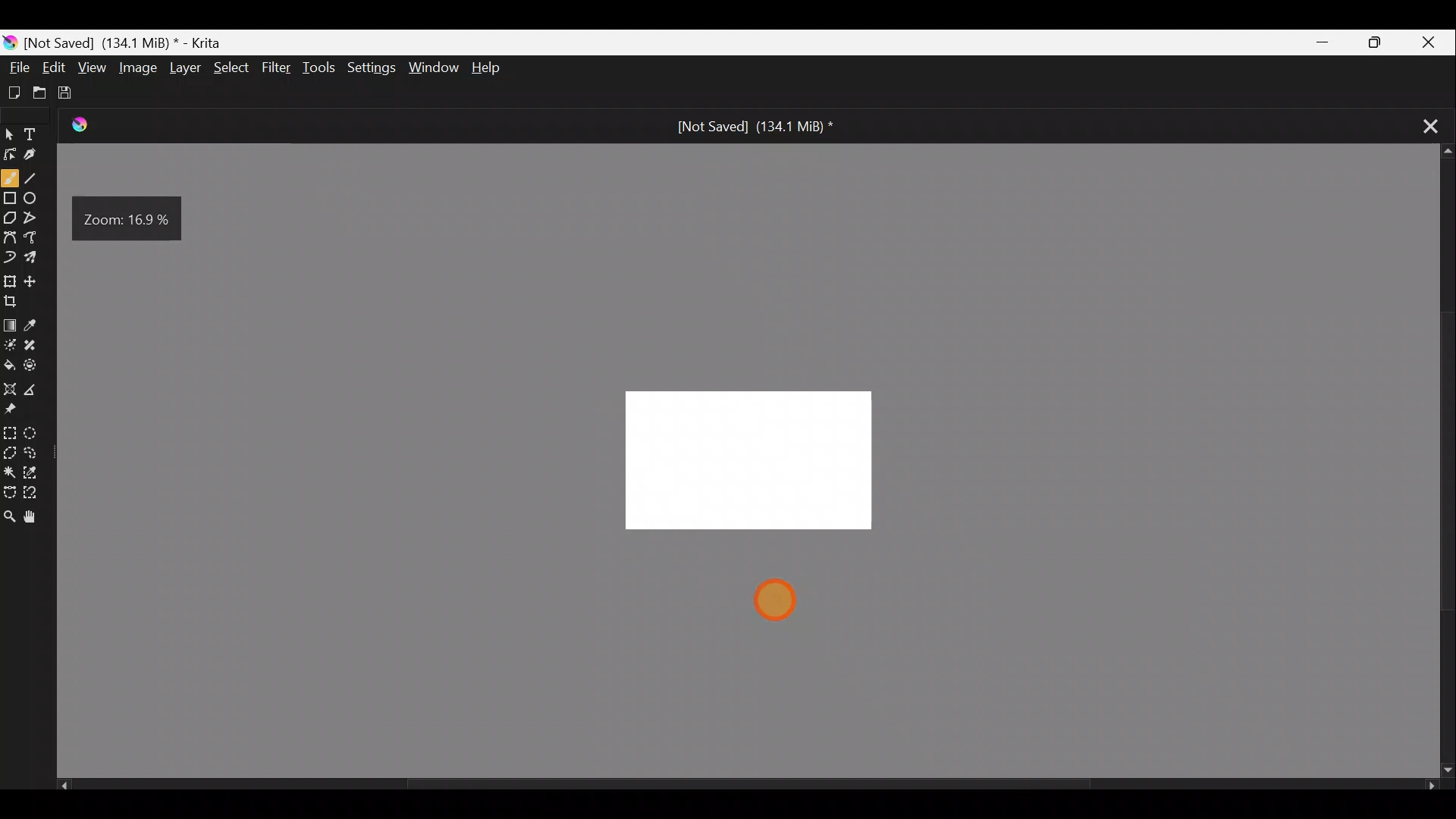 Image resolution: width=1456 pixels, height=819 pixels. Describe the element at coordinates (79, 96) in the screenshot. I see `Save` at that location.